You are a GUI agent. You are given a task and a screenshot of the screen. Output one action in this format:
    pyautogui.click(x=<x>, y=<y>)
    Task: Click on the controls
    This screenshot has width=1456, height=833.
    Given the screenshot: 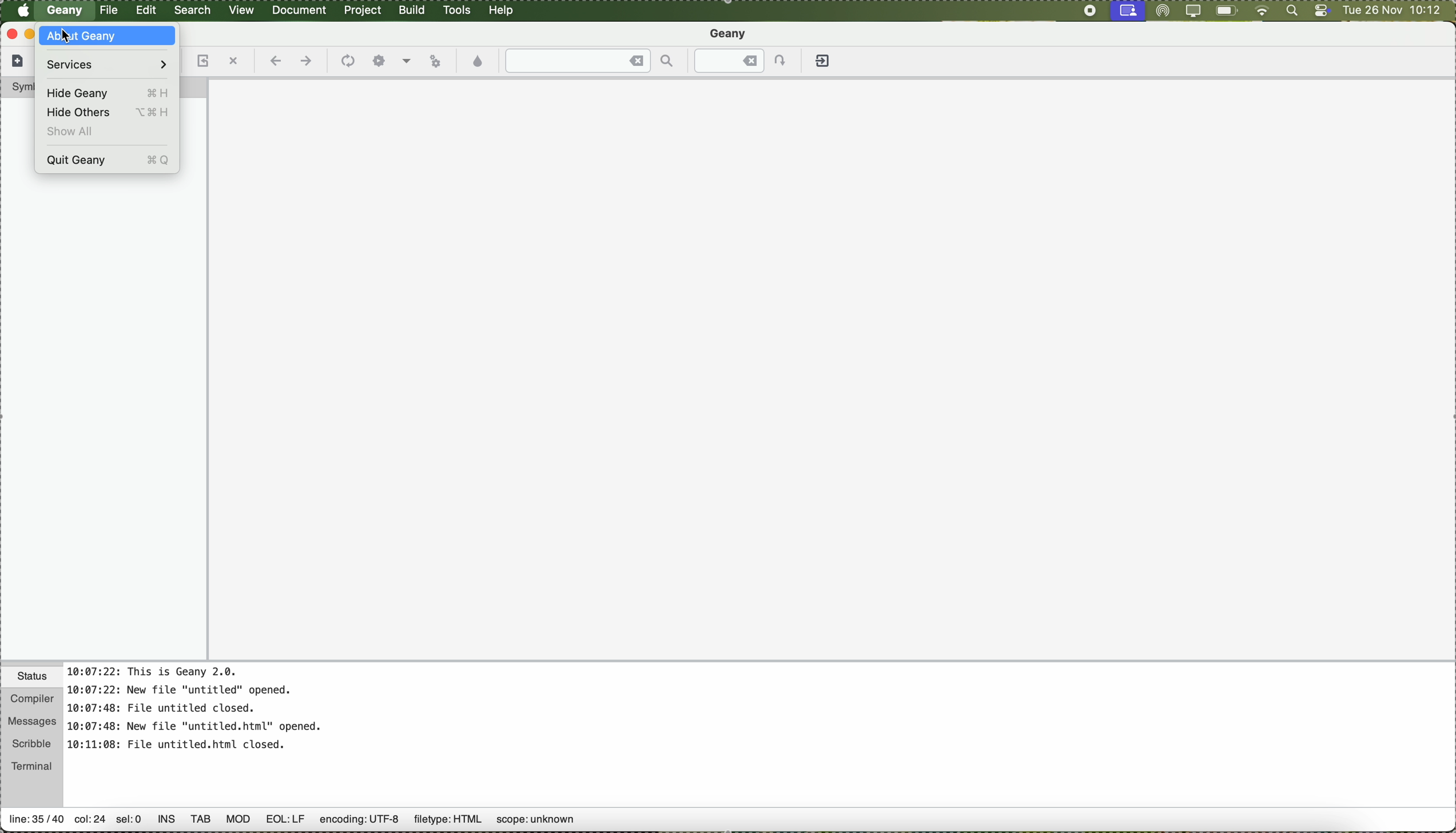 What is the action you would take?
    pyautogui.click(x=1318, y=11)
    